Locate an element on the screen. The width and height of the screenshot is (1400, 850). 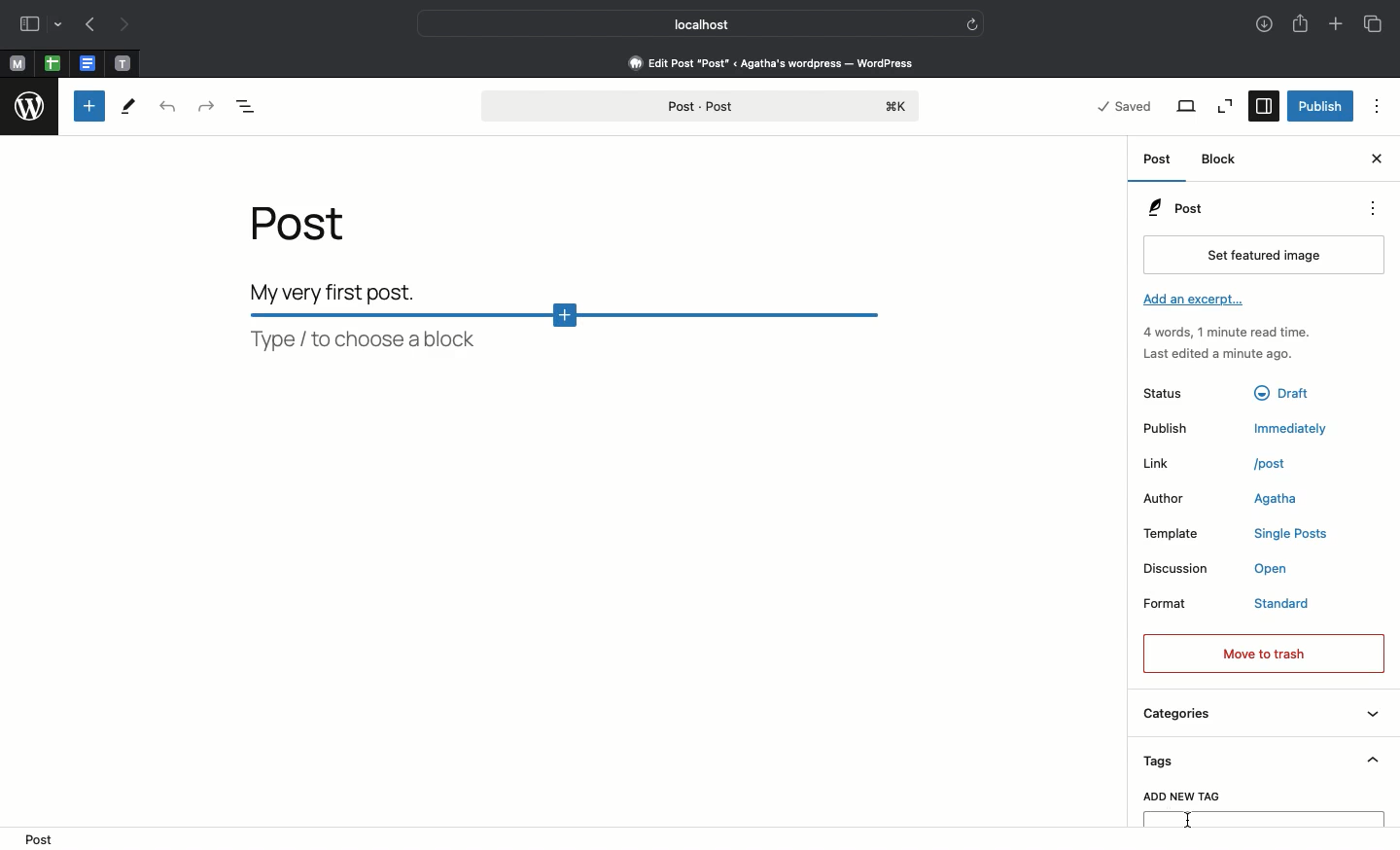
Tools is located at coordinates (131, 107).